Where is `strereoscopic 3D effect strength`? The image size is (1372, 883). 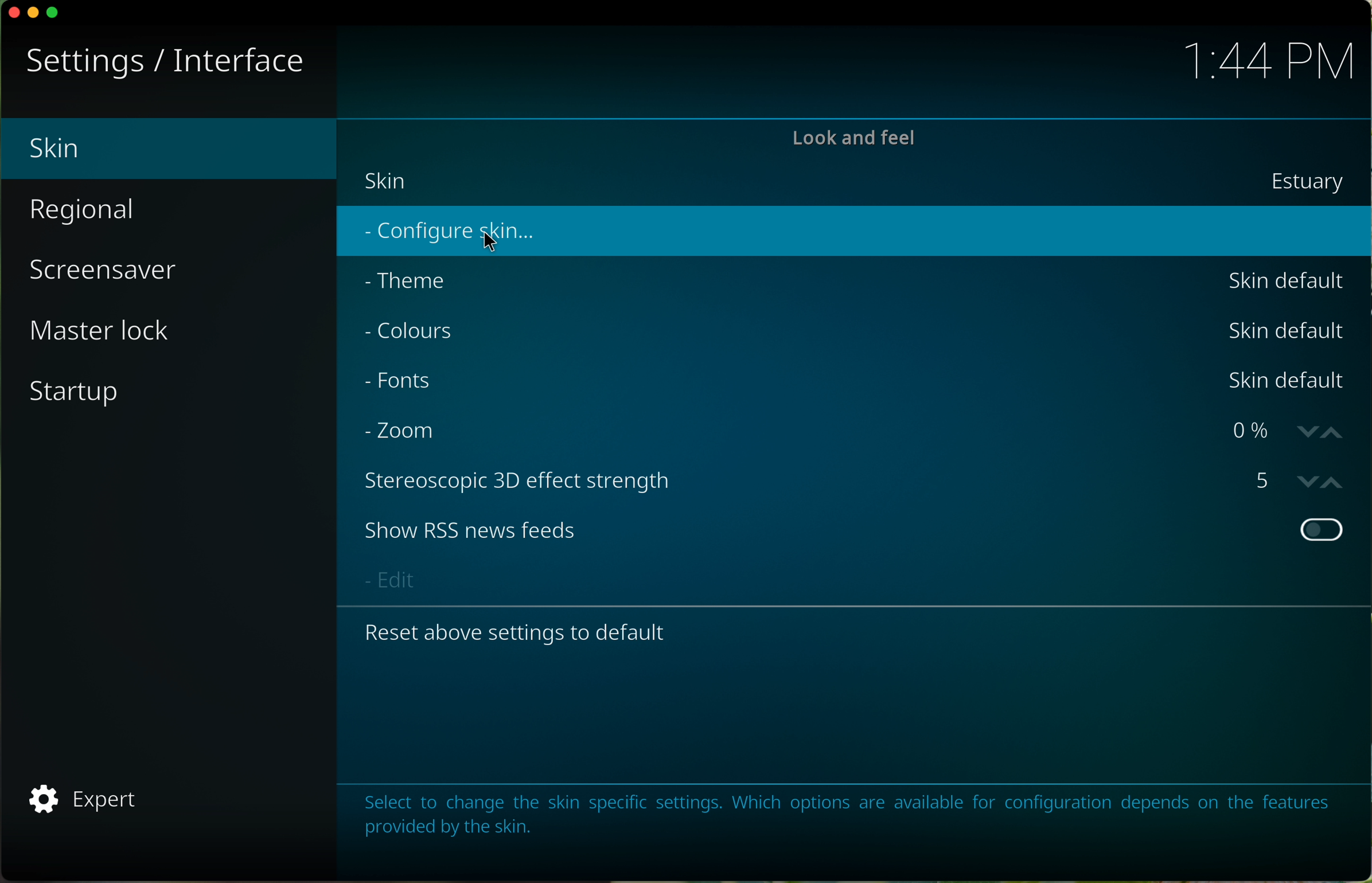 strereoscopic 3D effect strength is located at coordinates (522, 484).